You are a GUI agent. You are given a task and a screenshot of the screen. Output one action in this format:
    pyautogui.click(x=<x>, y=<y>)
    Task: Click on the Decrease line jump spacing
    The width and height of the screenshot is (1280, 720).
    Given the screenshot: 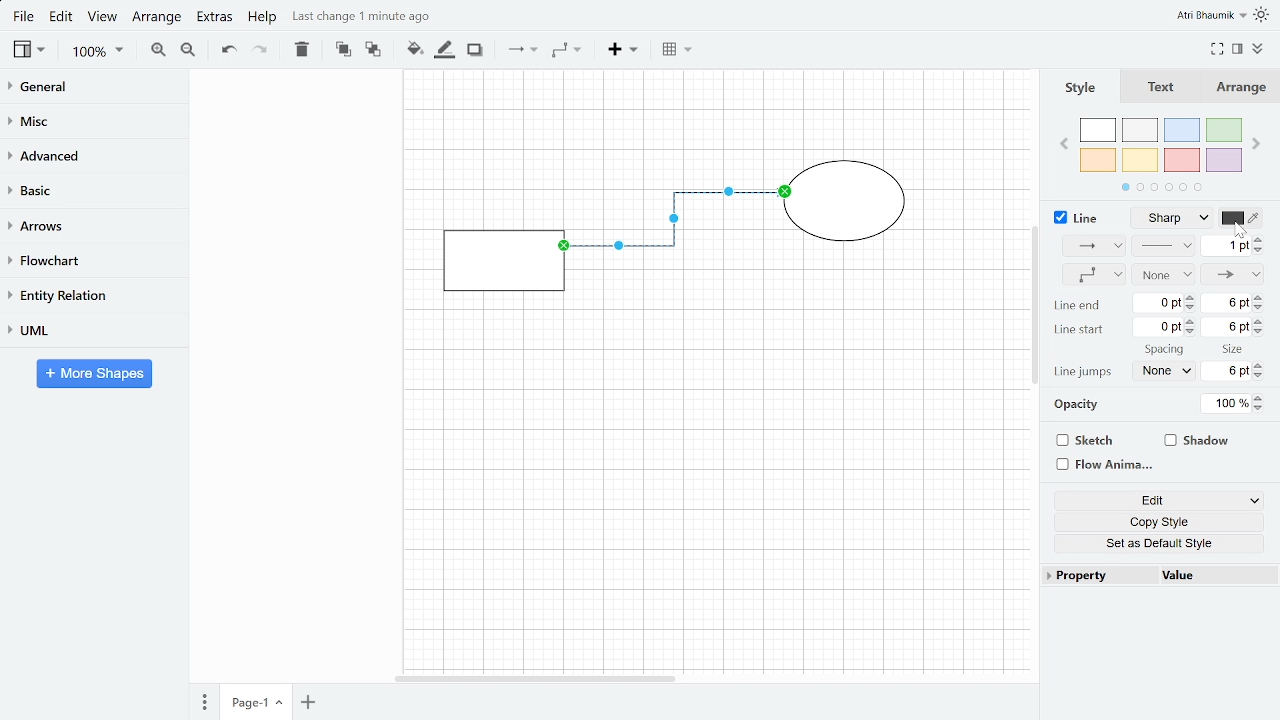 What is the action you would take?
    pyautogui.click(x=1262, y=376)
    